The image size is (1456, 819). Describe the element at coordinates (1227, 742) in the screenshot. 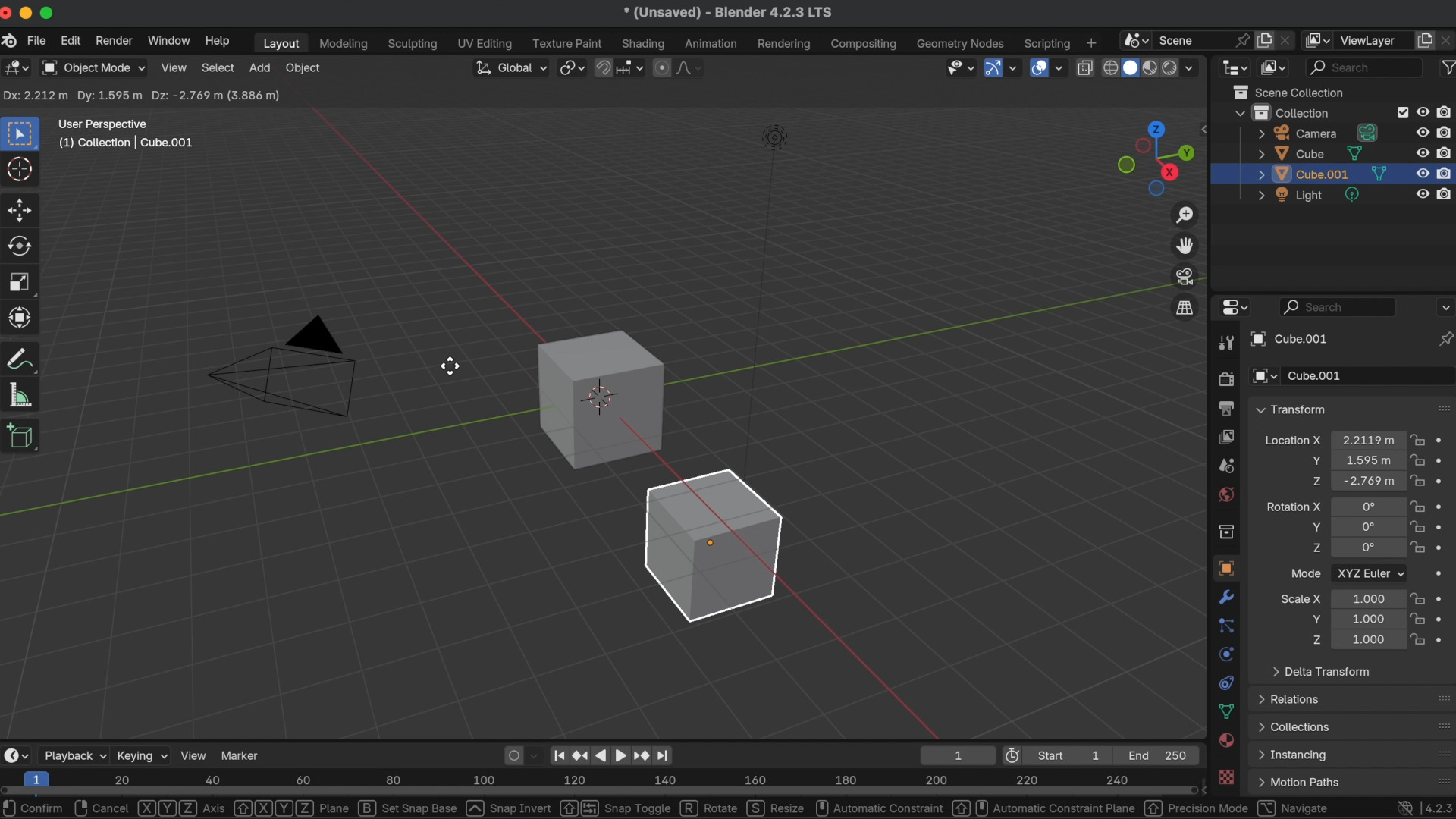

I see `material` at that location.